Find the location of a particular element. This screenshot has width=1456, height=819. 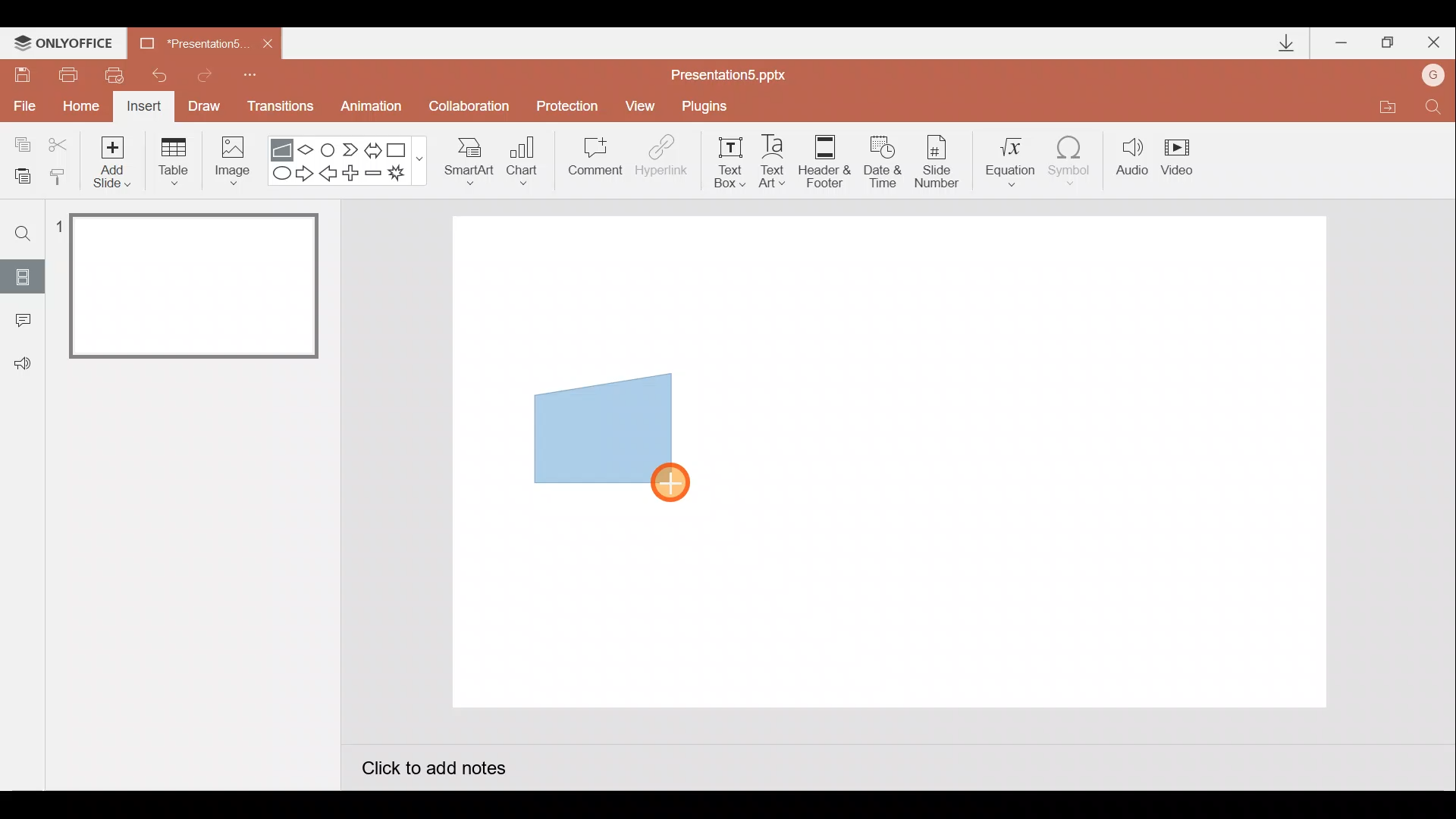

Quick print is located at coordinates (120, 71).